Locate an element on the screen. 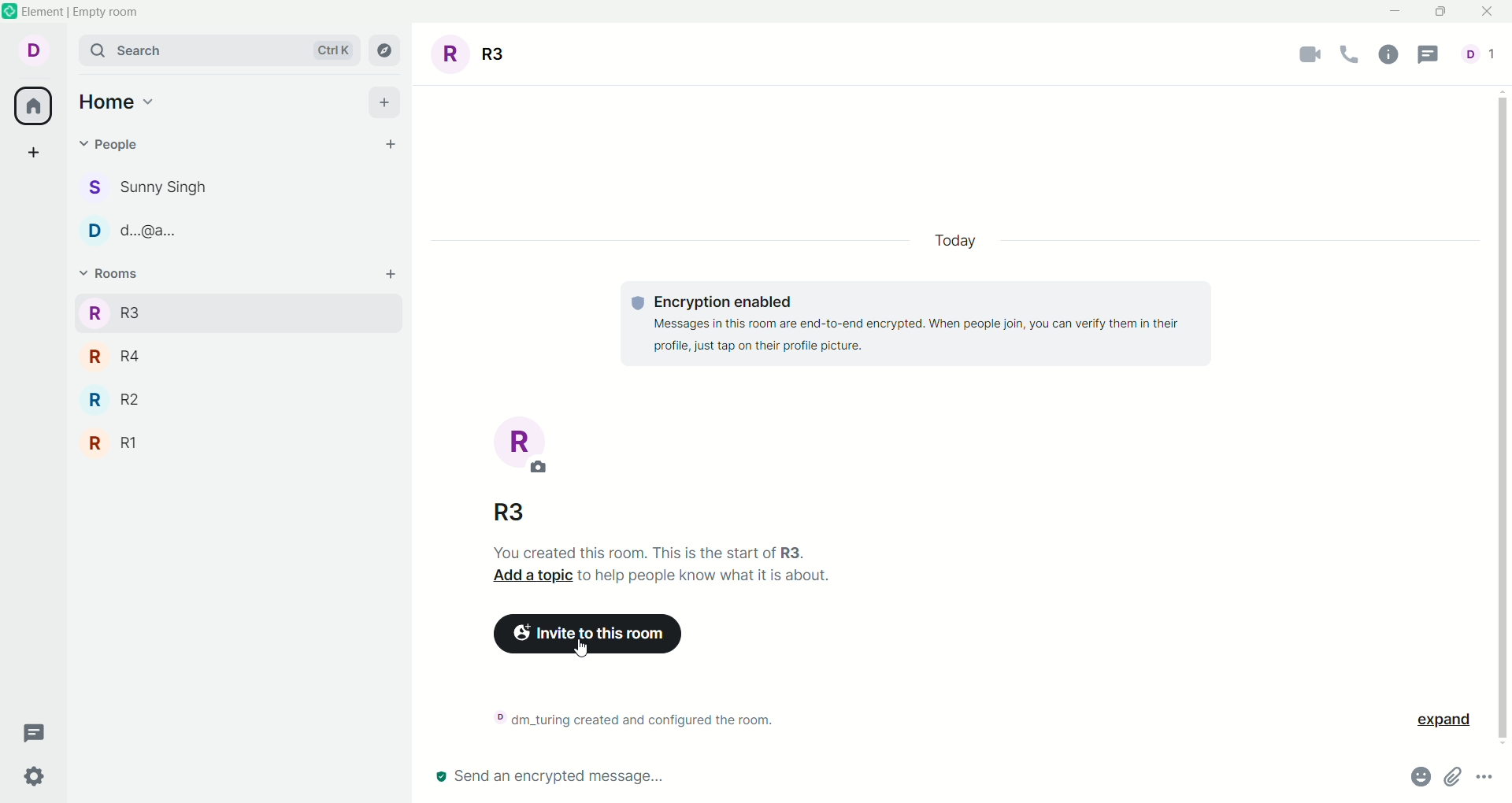 The width and height of the screenshot is (1512, 803). voice call is located at coordinates (1347, 56).